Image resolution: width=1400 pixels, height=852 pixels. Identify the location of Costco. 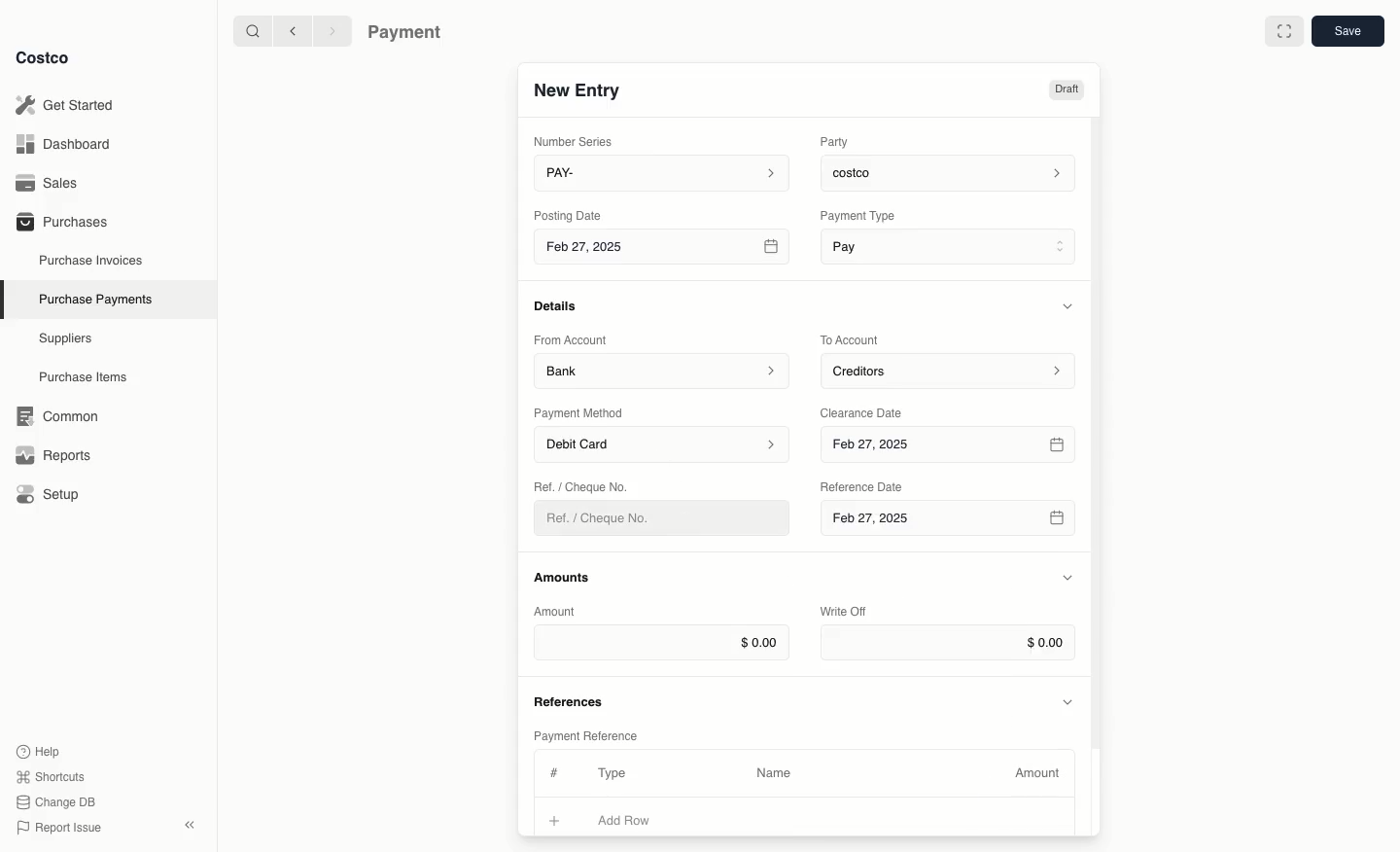
(42, 57).